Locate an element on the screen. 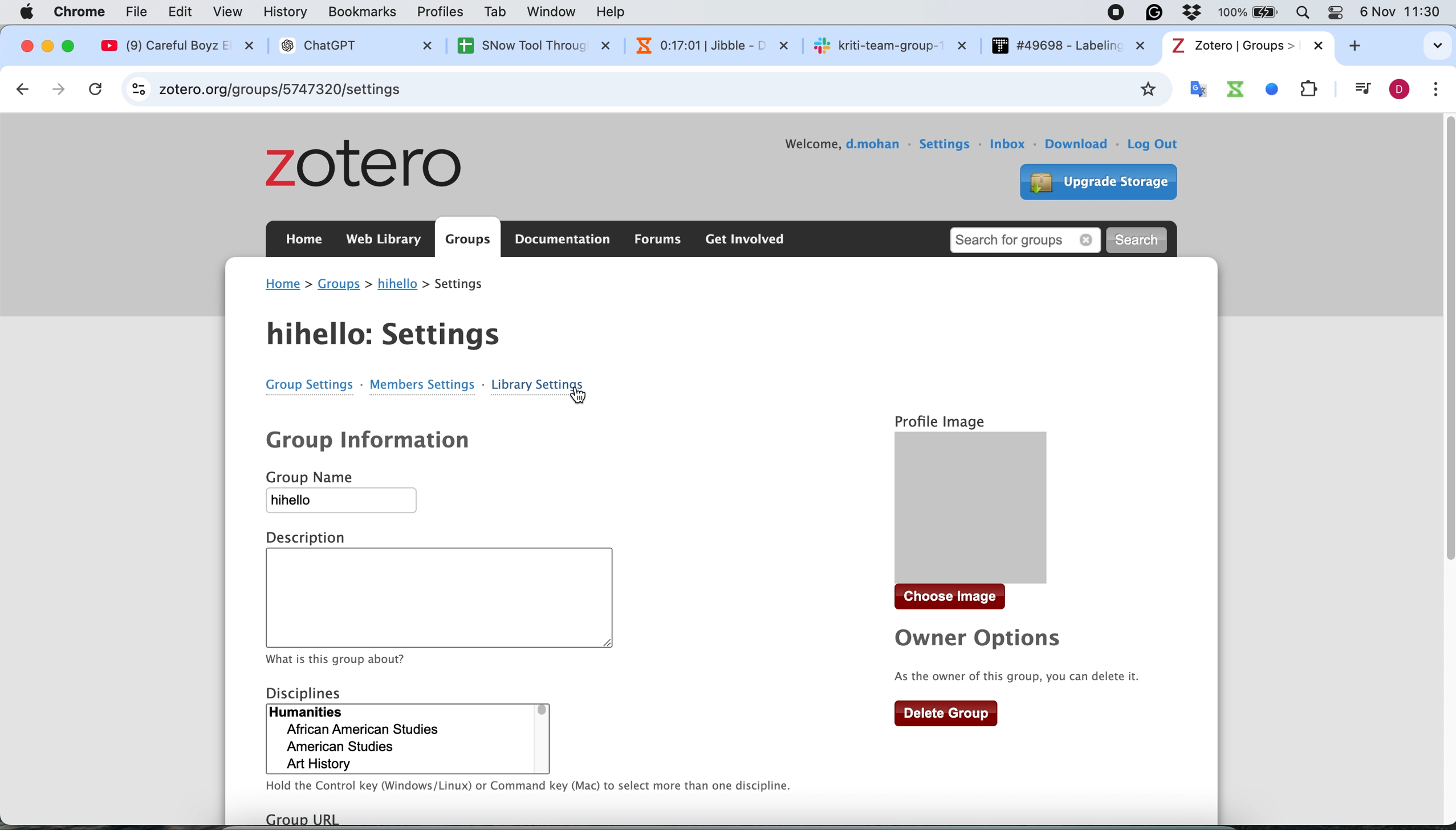 This screenshot has width=1456, height=830. group name is located at coordinates (397, 285).